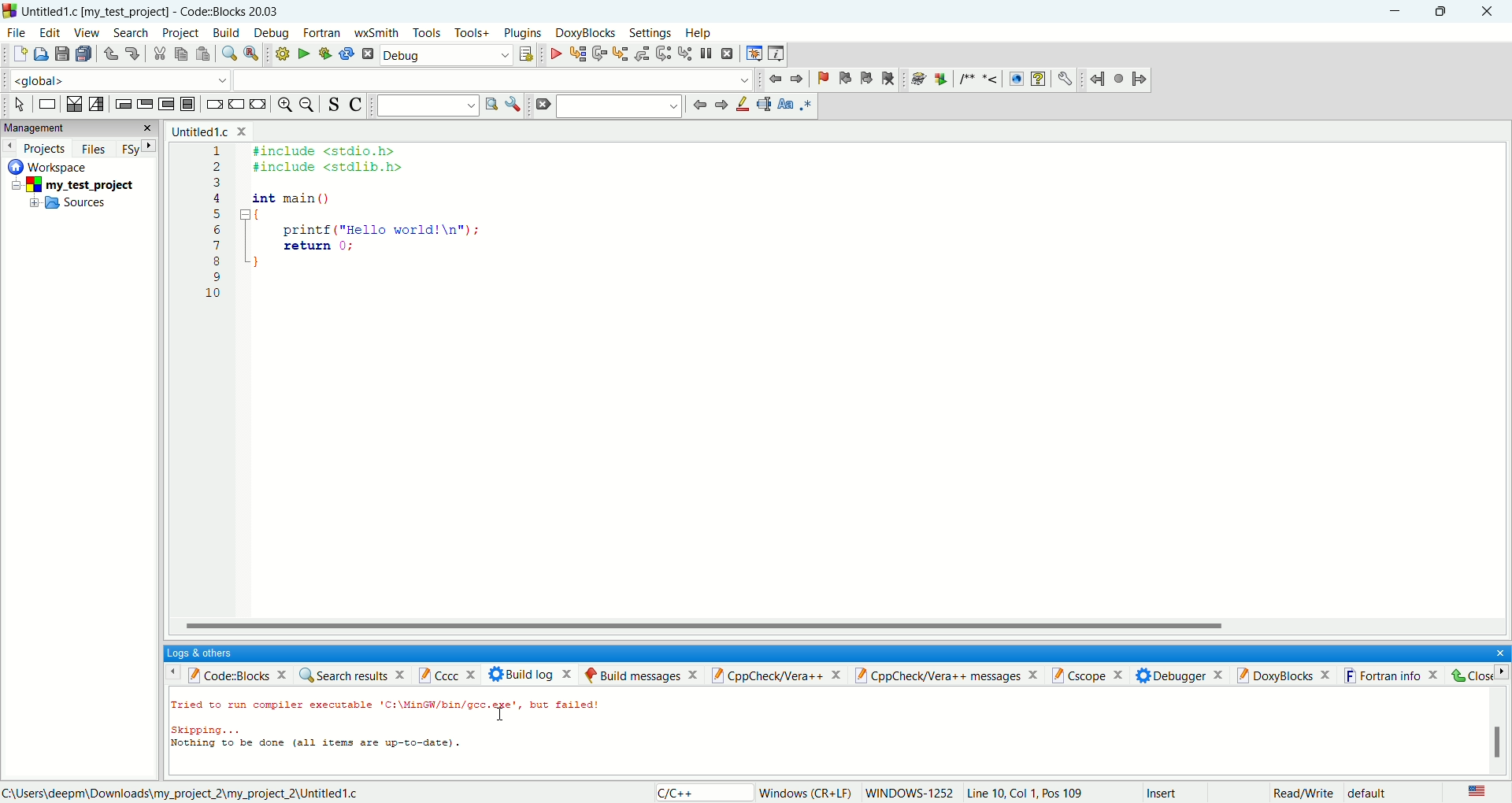 The width and height of the screenshot is (1512, 803). What do you see at coordinates (62, 54) in the screenshot?
I see `save` at bounding box center [62, 54].